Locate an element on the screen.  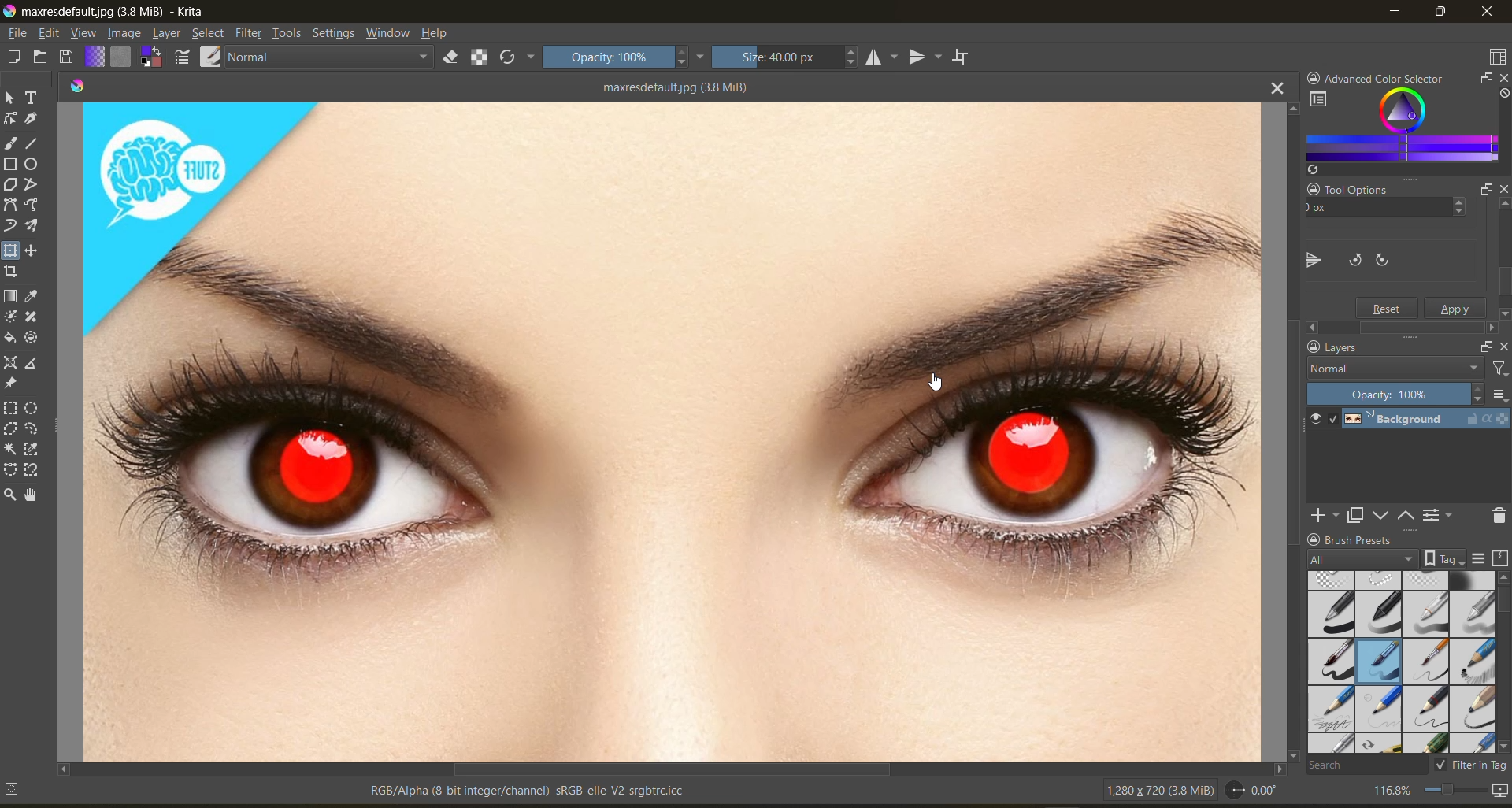
flip canvas horizontally is located at coordinates (1350, 262).